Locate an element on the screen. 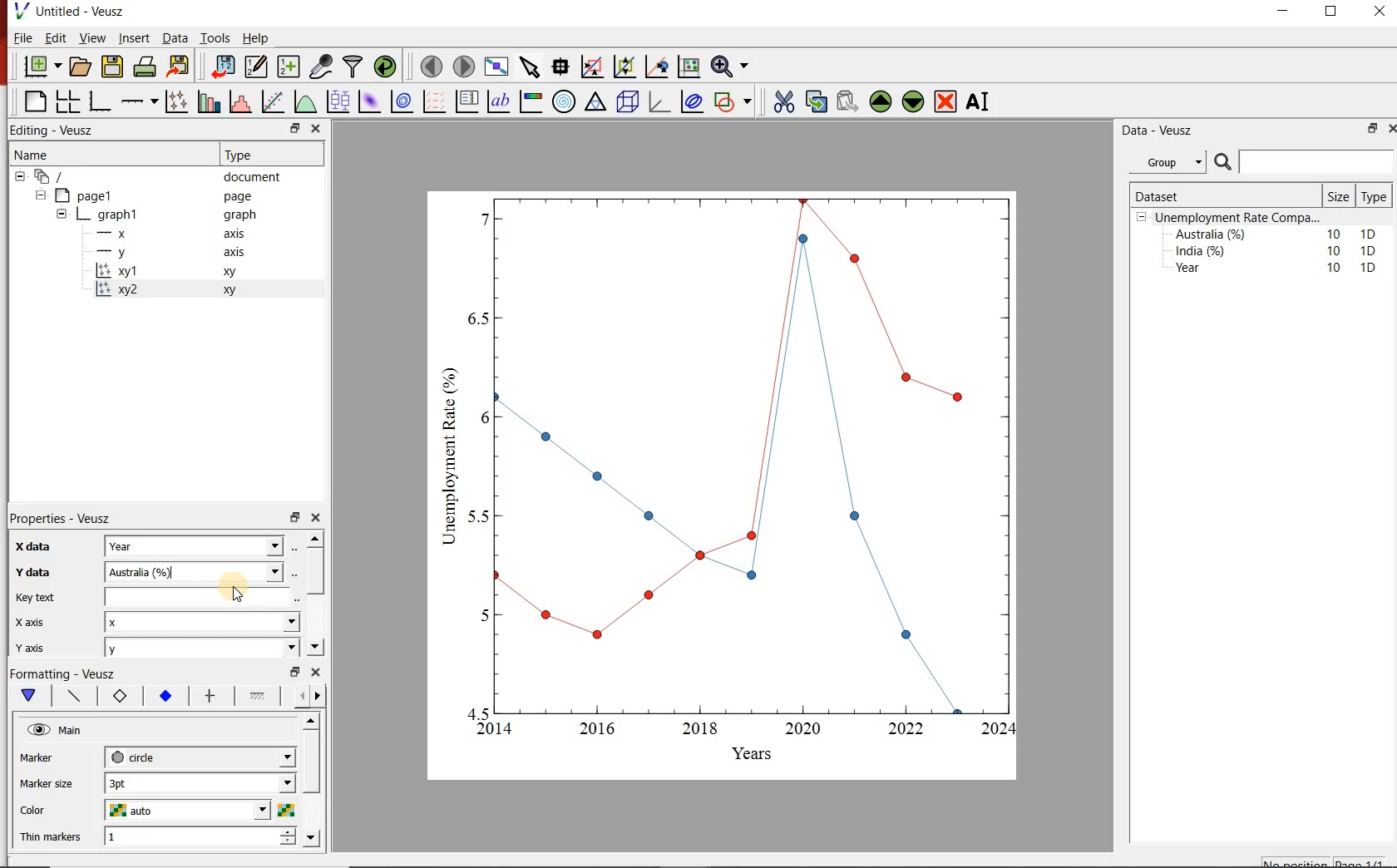  fit a function is located at coordinates (272, 101).